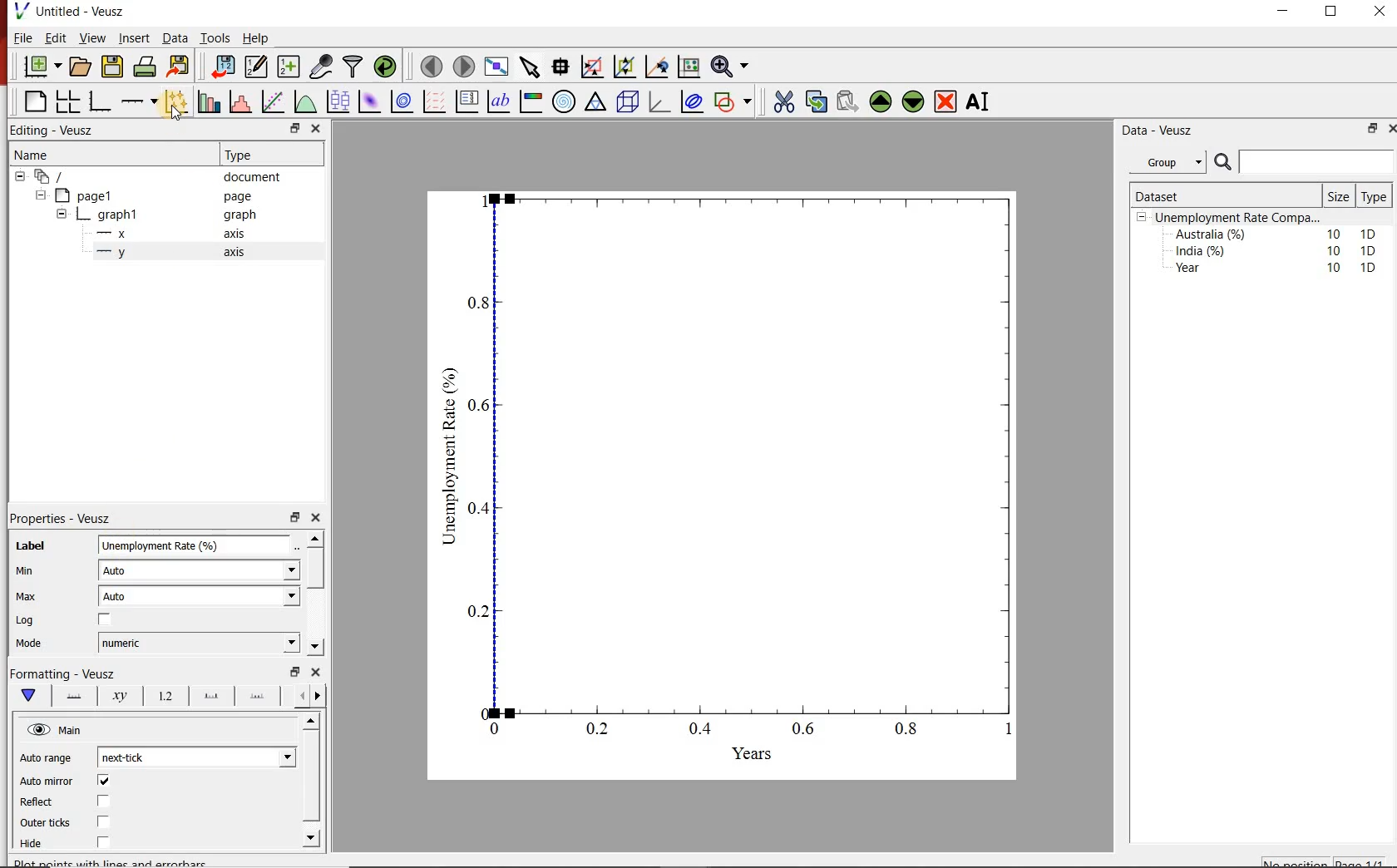 The width and height of the screenshot is (1397, 868). Describe the element at coordinates (103, 842) in the screenshot. I see `checkbox` at that location.